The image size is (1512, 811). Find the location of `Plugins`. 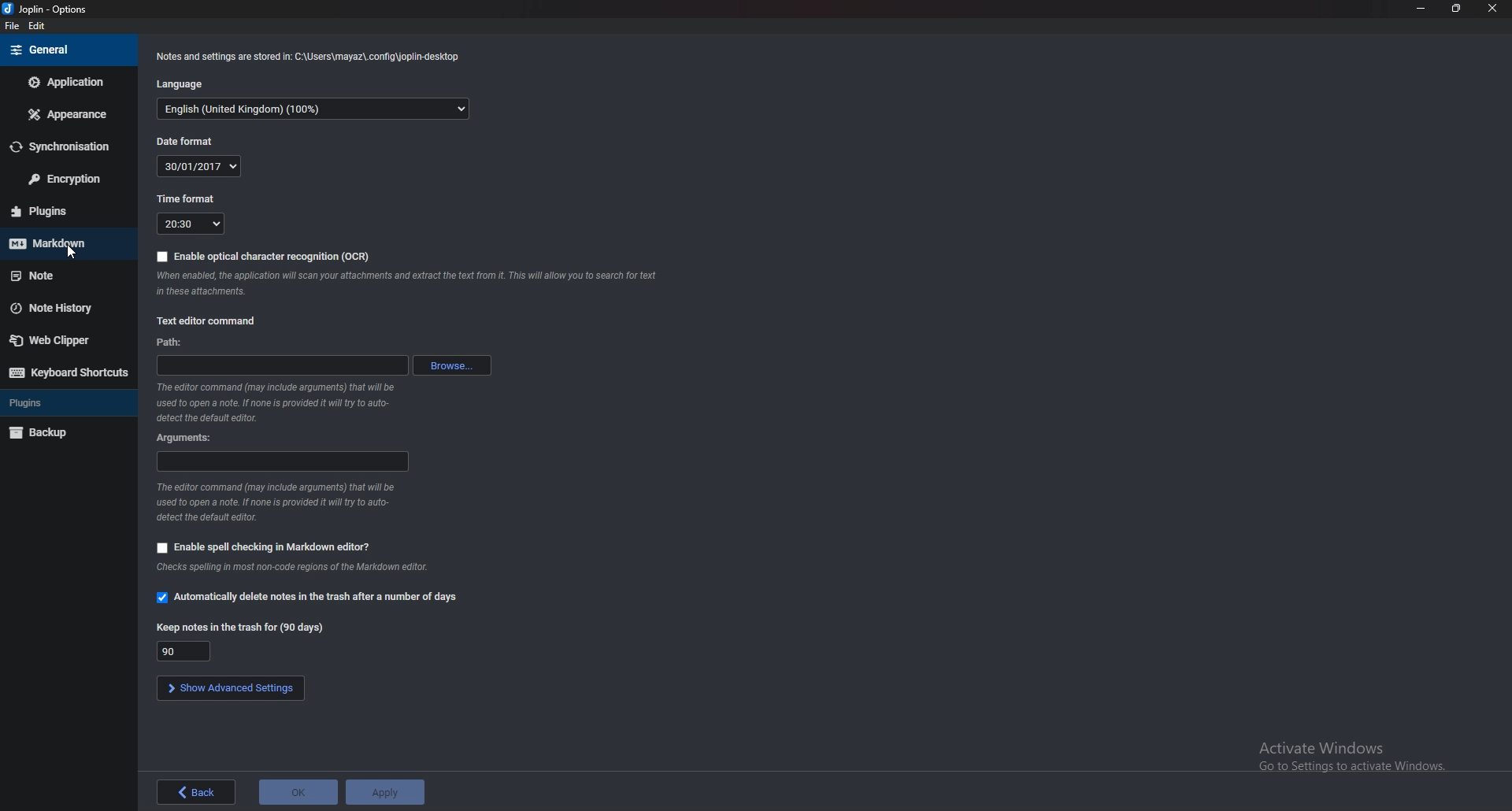

Plugins is located at coordinates (59, 403).